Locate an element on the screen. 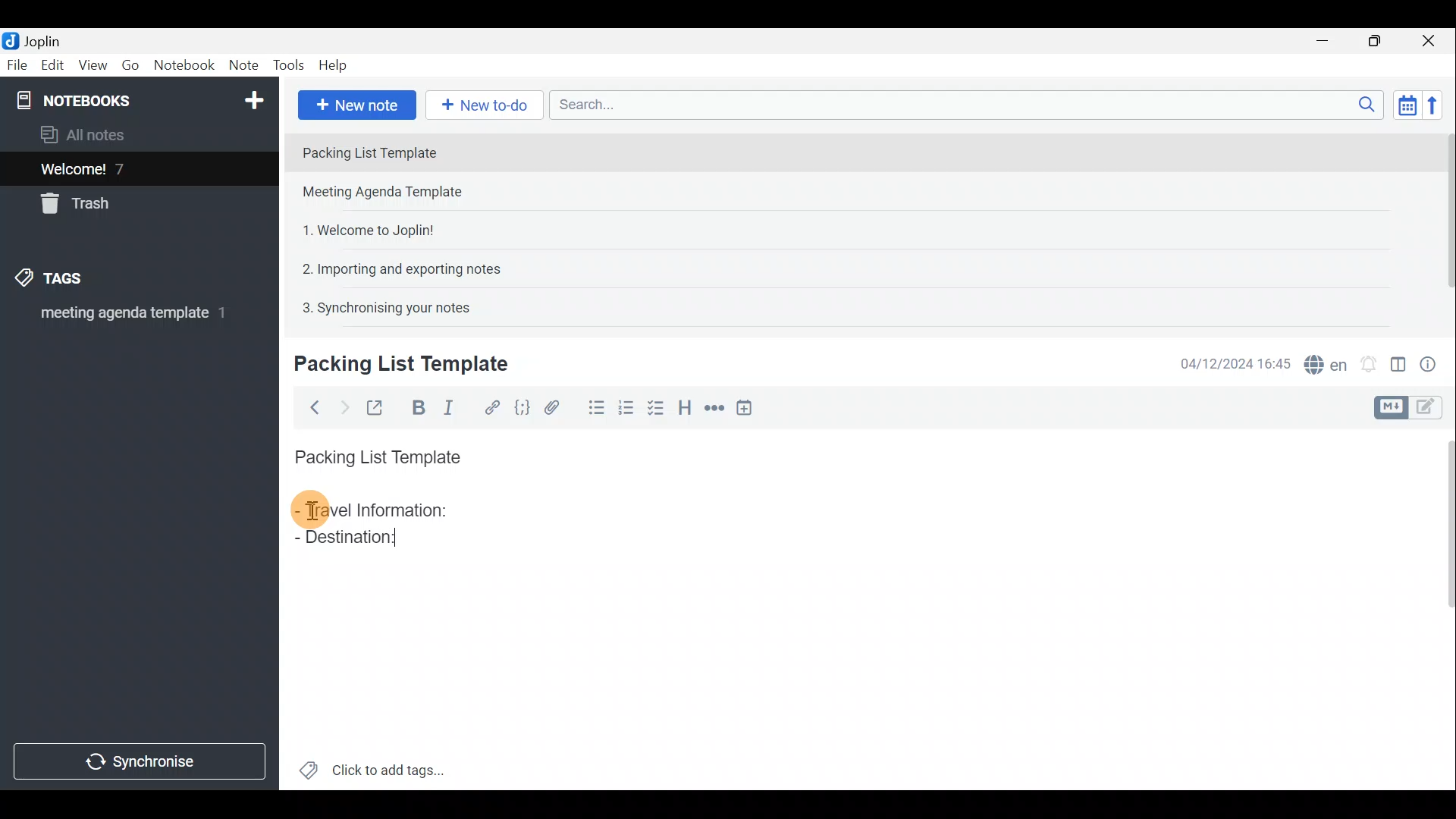  Maximise is located at coordinates (1380, 41).